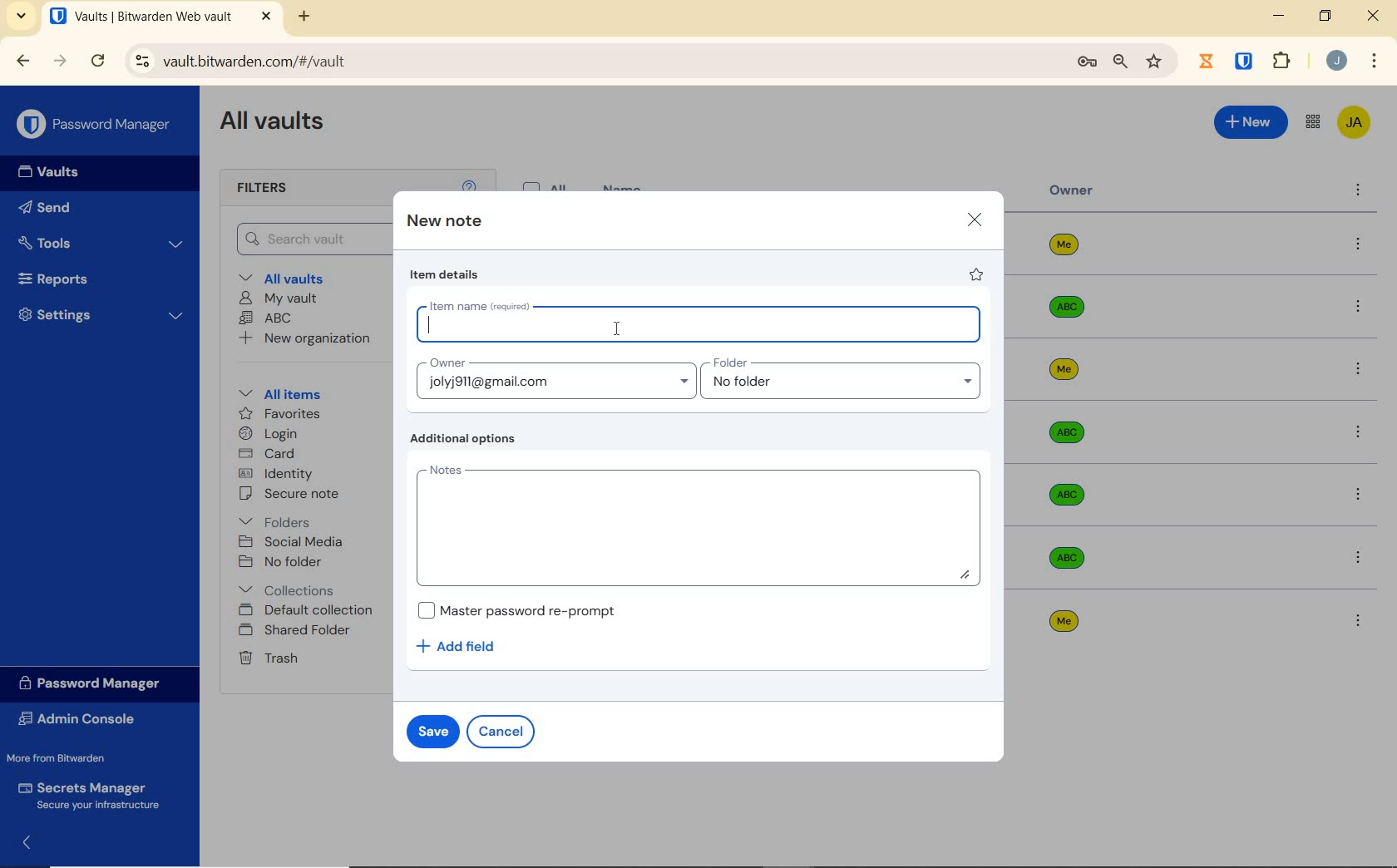 The image size is (1397, 868). What do you see at coordinates (297, 631) in the screenshot?
I see `shared folder` at bounding box center [297, 631].